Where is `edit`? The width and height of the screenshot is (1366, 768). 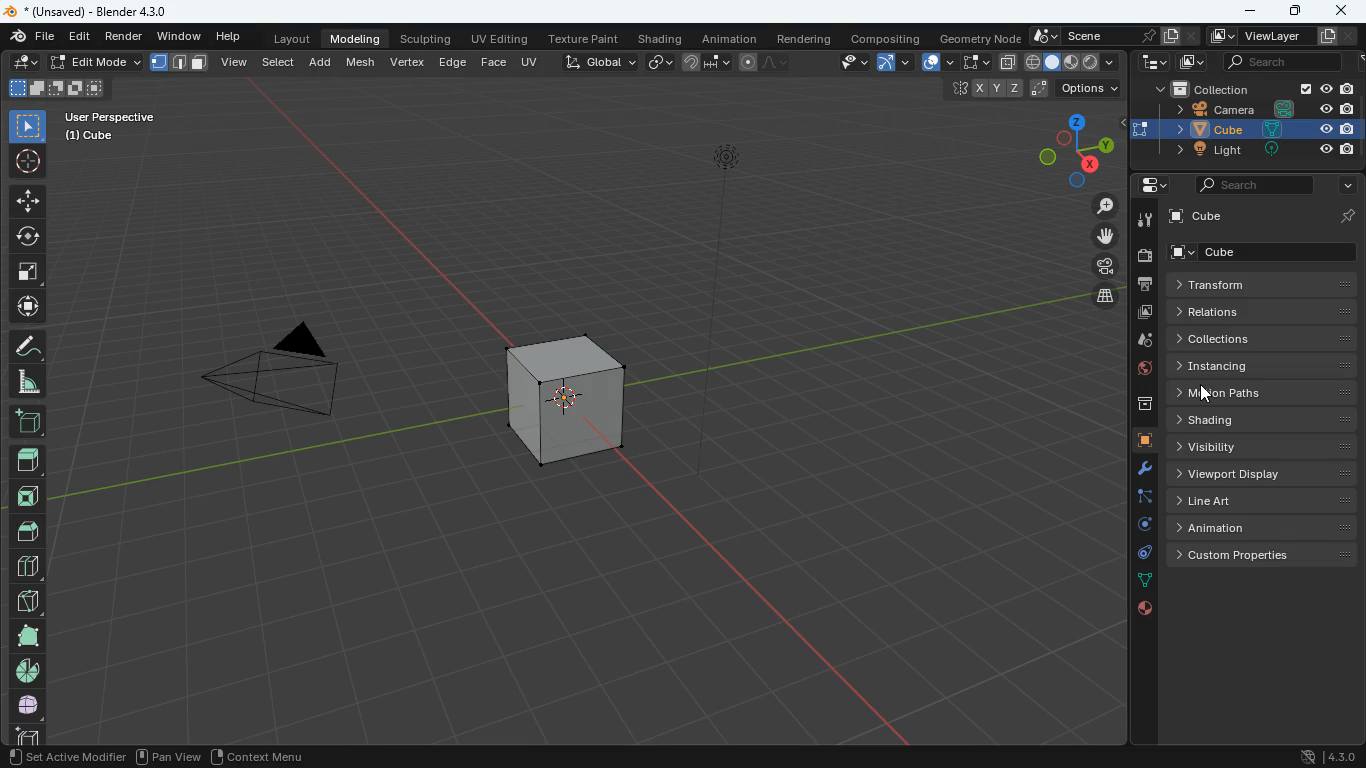 edit is located at coordinates (26, 63).